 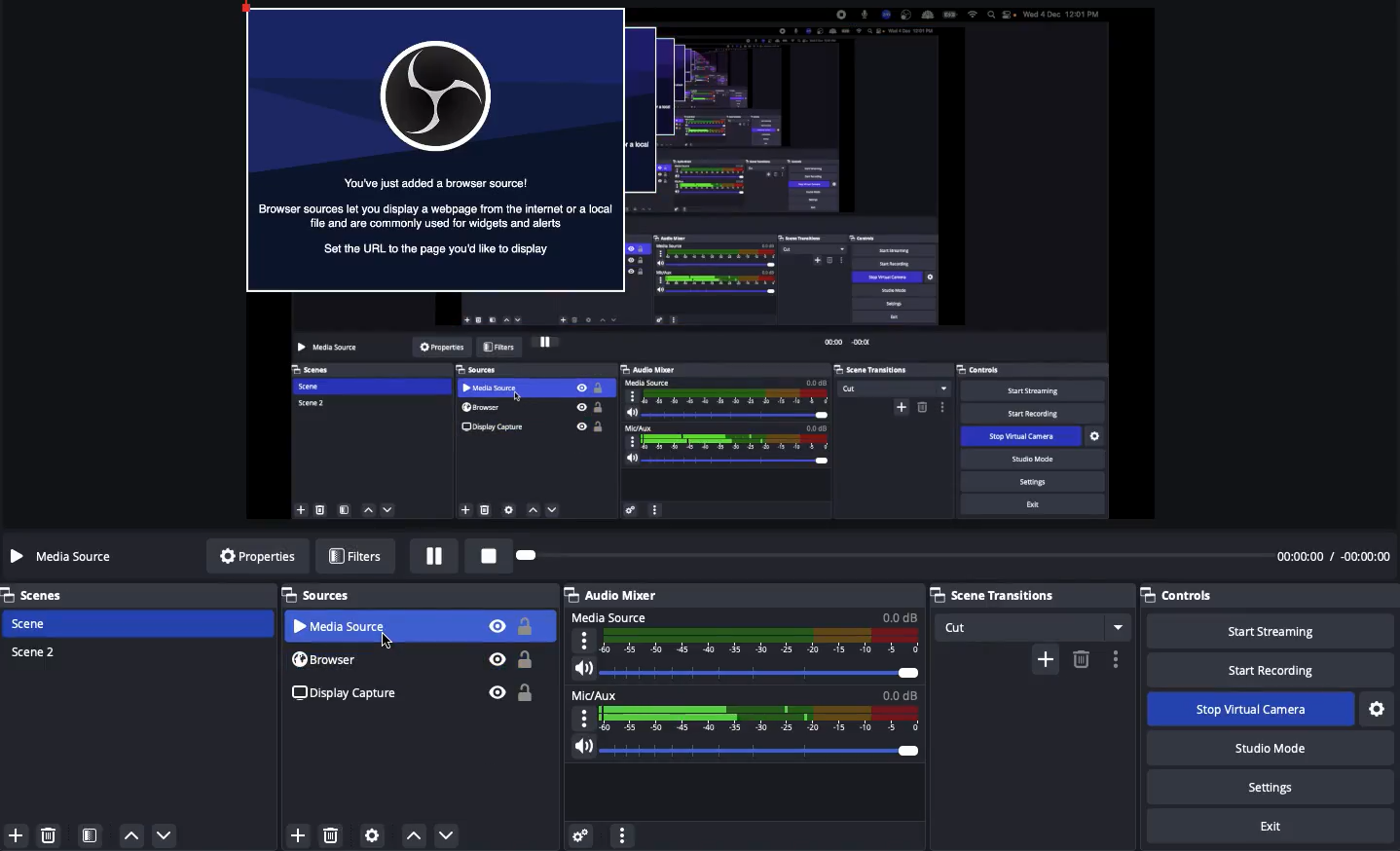 What do you see at coordinates (323, 660) in the screenshot?
I see `Browser` at bounding box center [323, 660].